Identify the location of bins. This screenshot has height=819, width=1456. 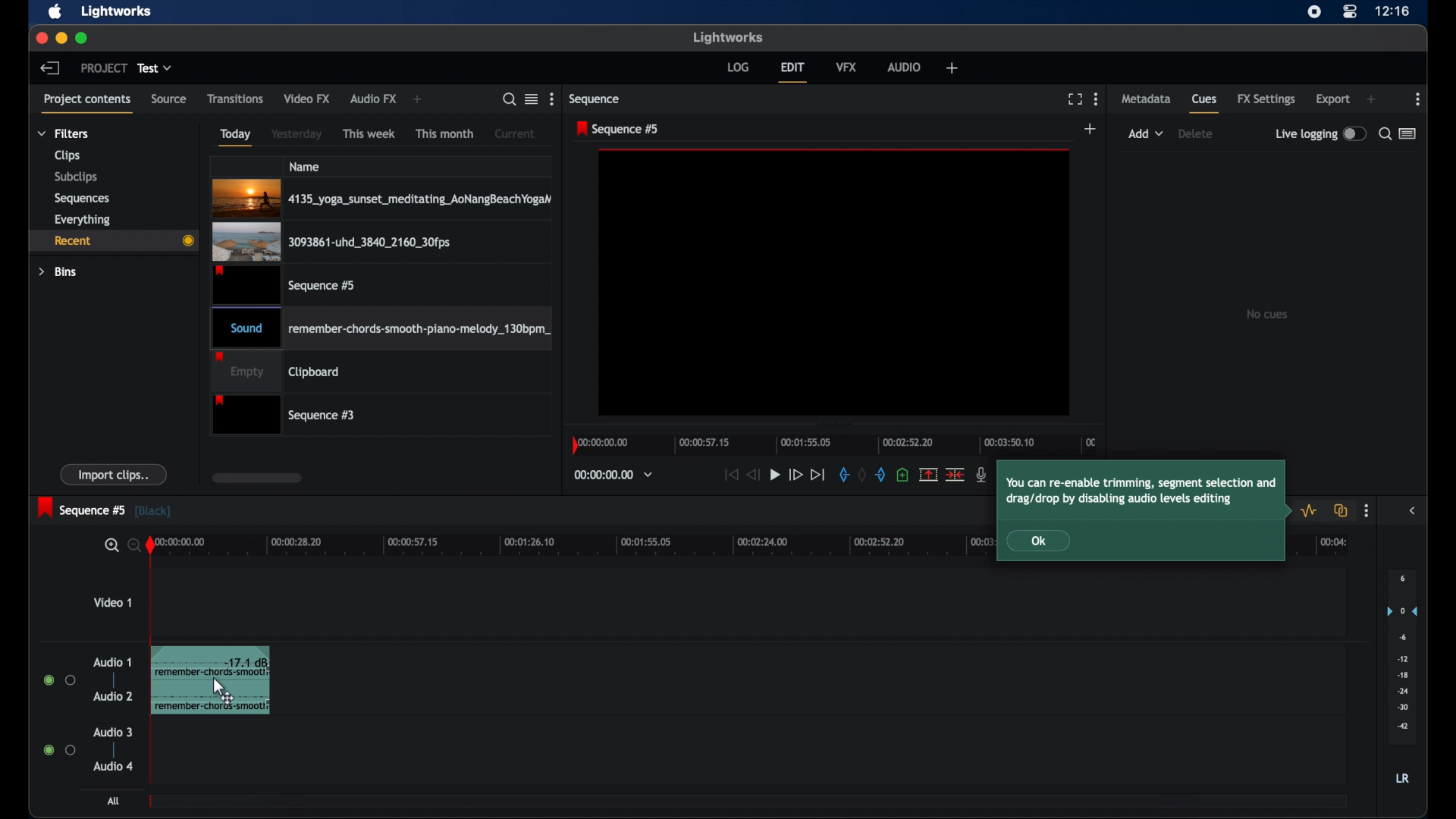
(58, 271).